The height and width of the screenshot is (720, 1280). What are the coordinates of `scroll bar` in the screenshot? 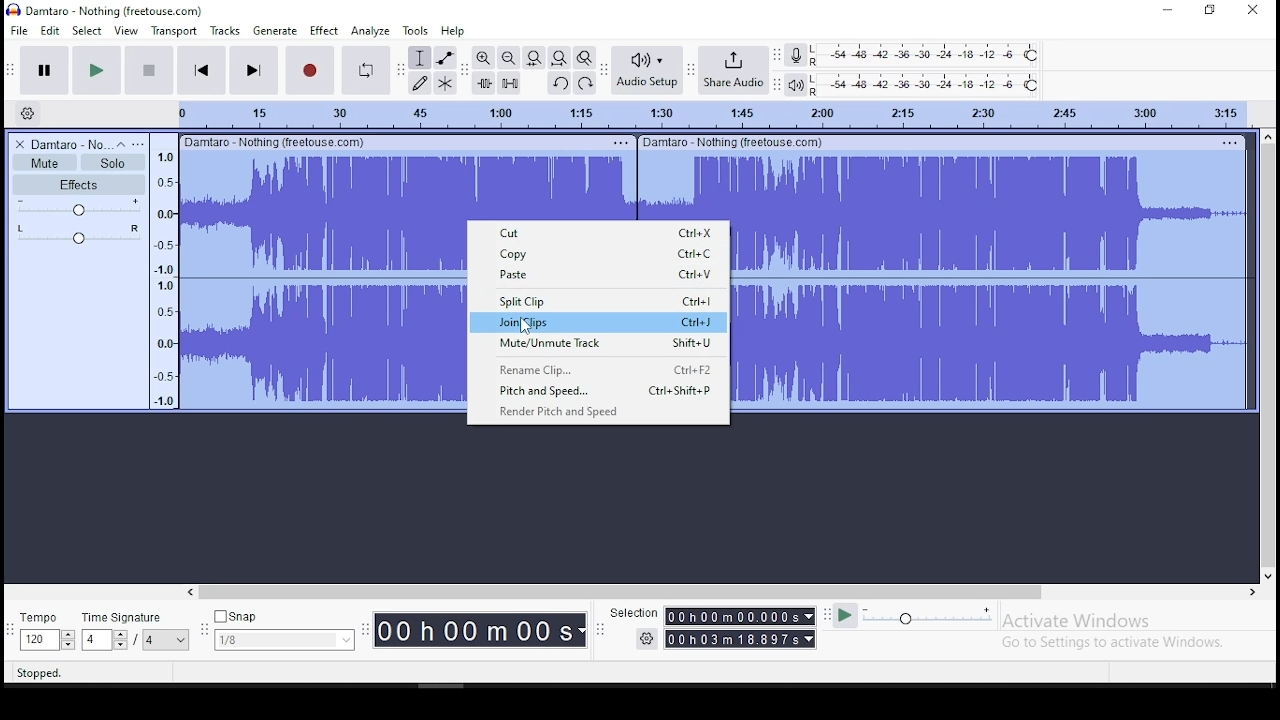 It's located at (1268, 356).